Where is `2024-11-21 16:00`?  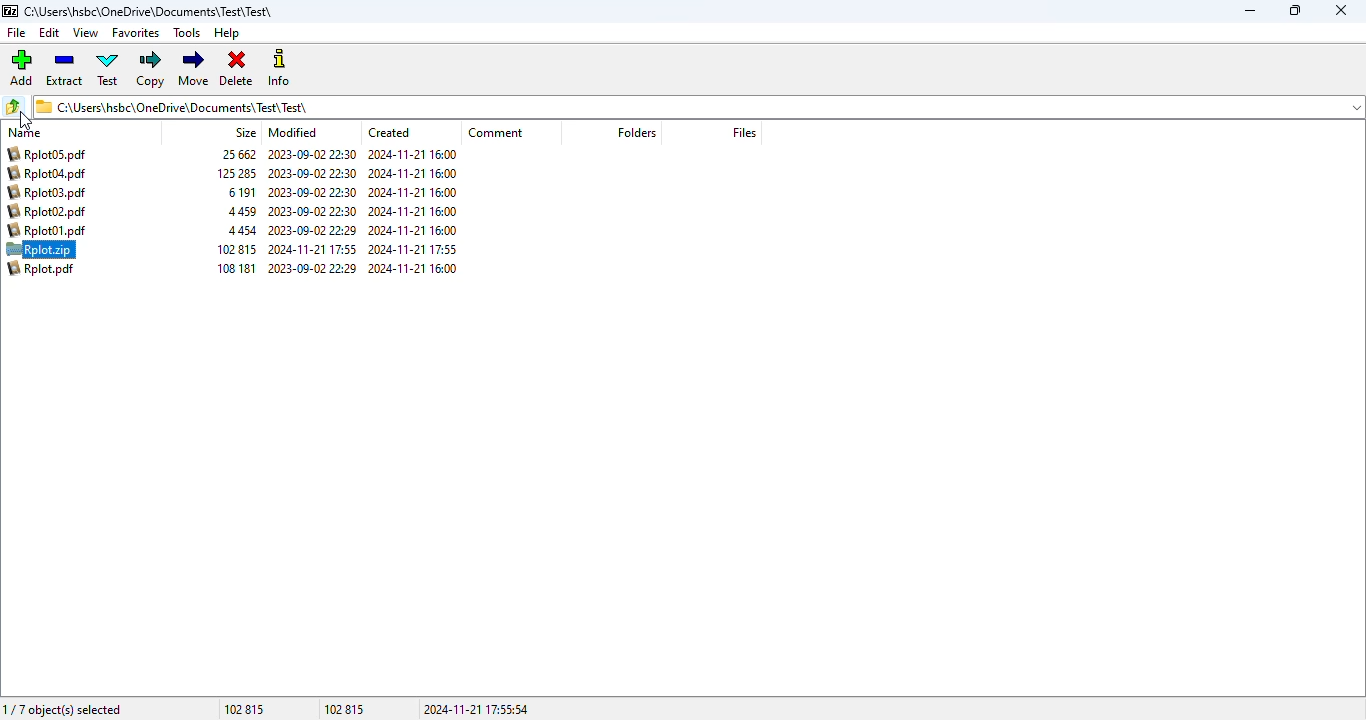 2024-11-21 16:00 is located at coordinates (412, 231).